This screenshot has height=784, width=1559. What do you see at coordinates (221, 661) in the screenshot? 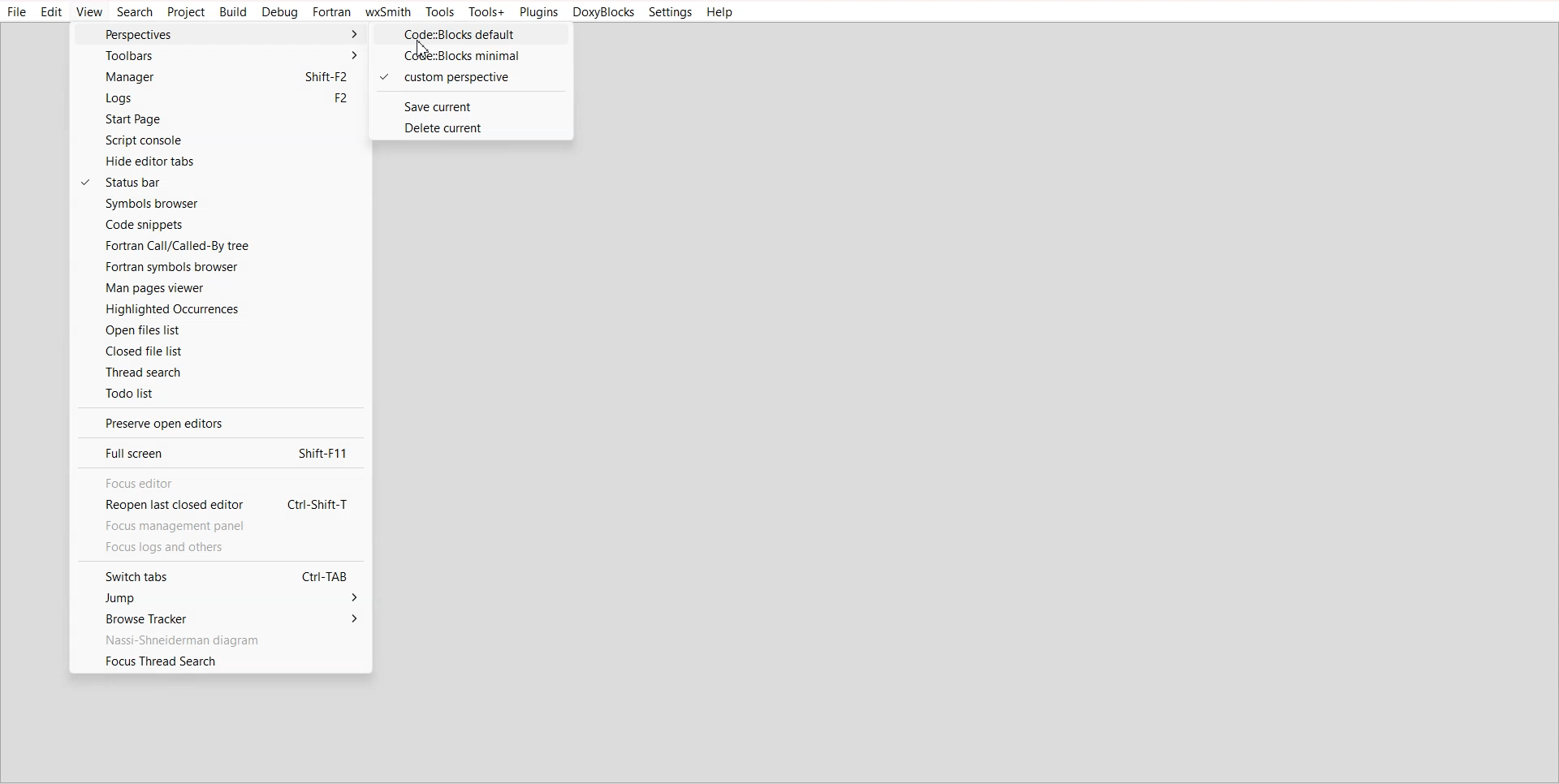
I see `Focus Thread Search` at bounding box center [221, 661].